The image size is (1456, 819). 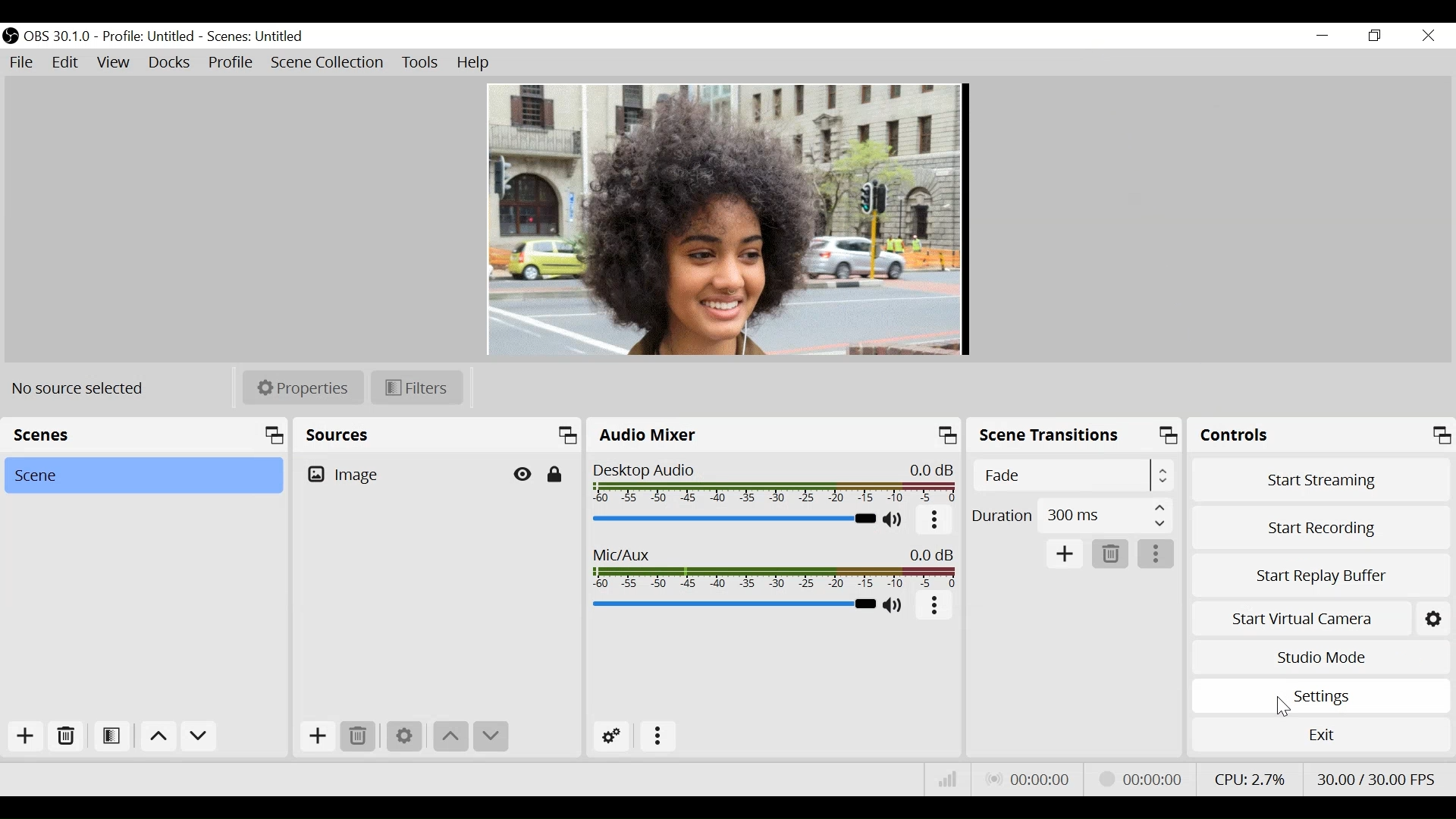 What do you see at coordinates (1139, 780) in the screenshot?
I see `00:00:00` at bounding box center [1139, 780].